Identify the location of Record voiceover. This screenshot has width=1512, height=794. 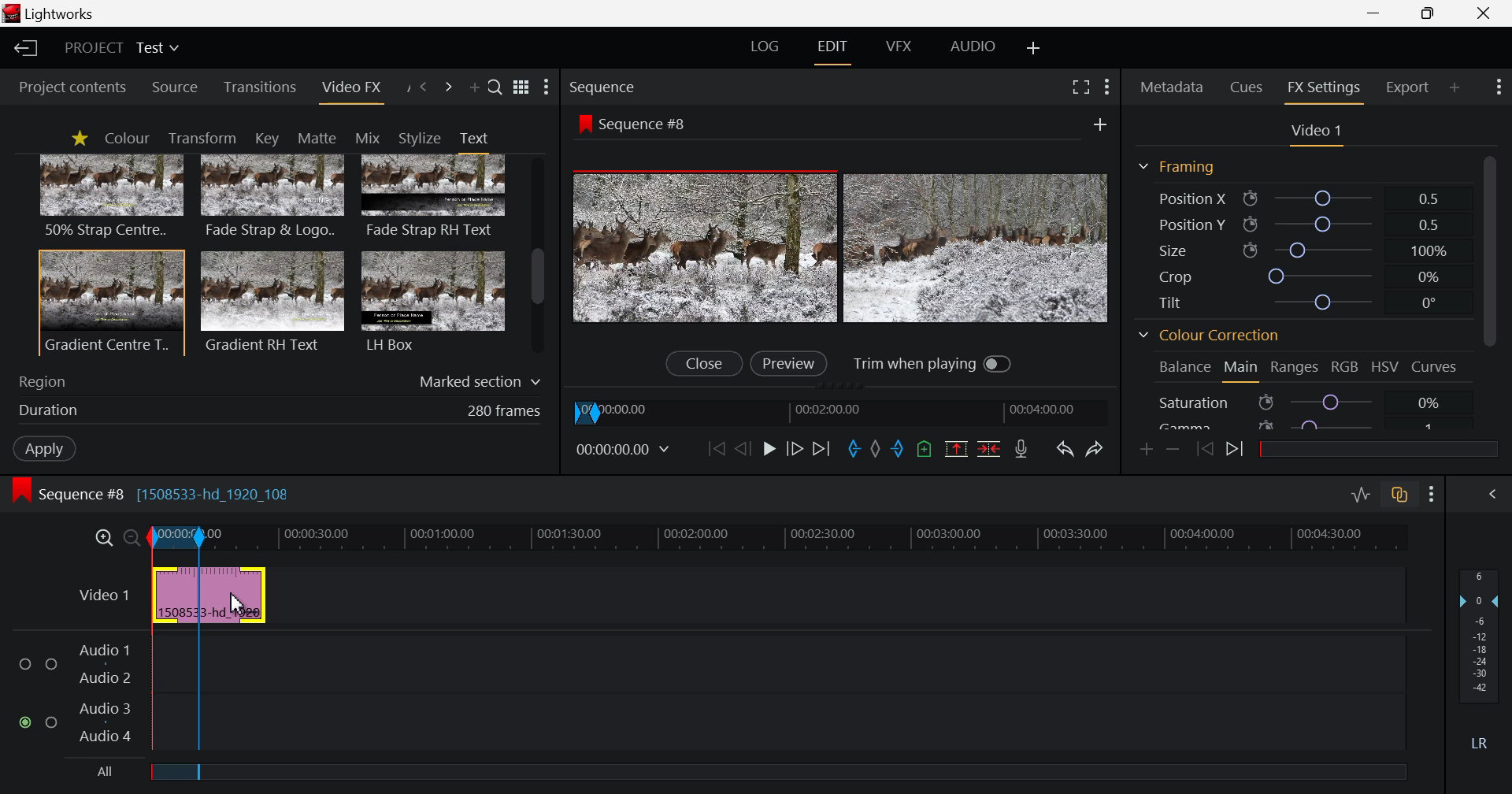
(1021, 451).